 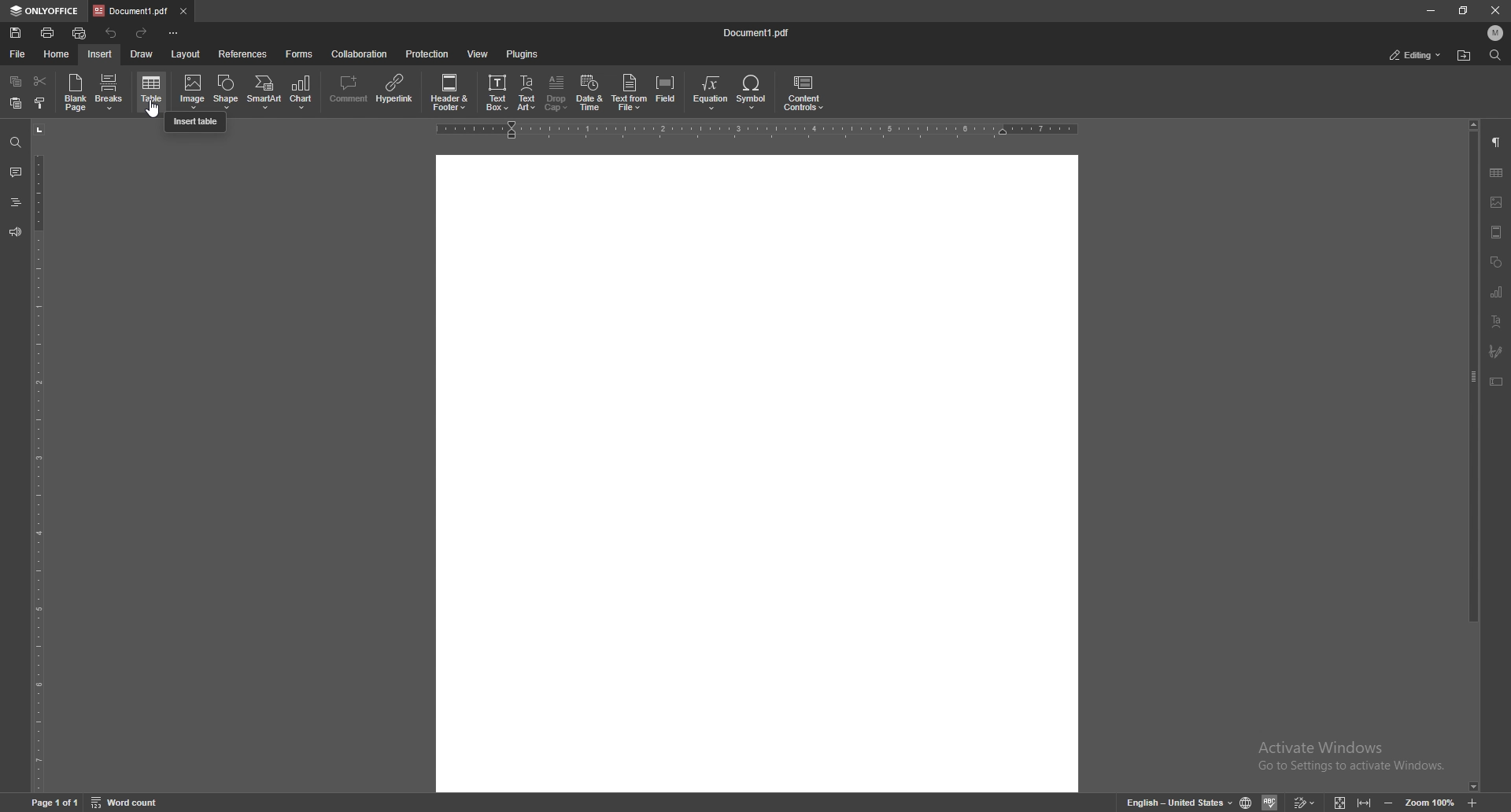 I want to click on home, so click(x=57, y=54).